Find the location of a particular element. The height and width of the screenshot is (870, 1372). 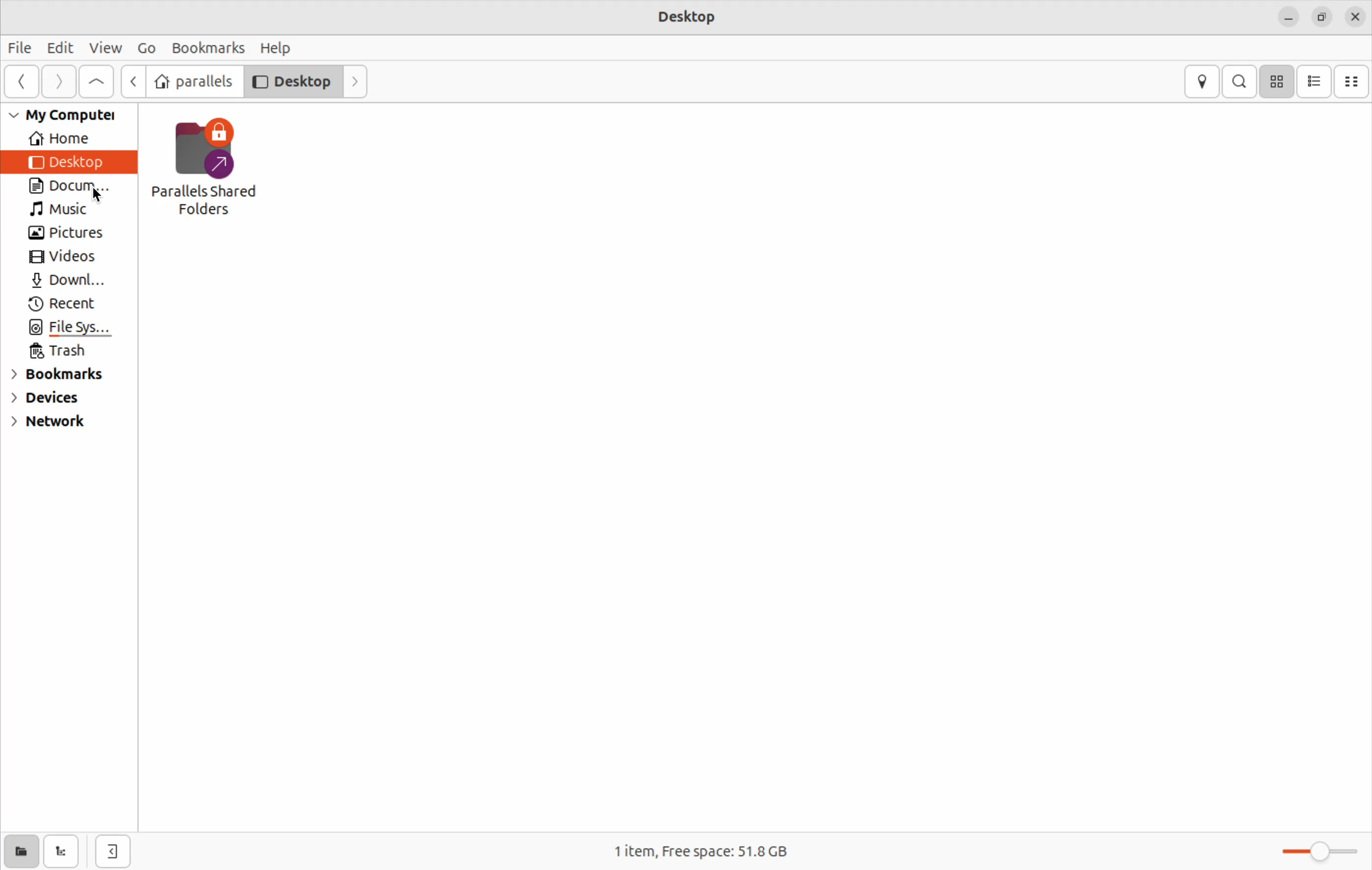

network is located at coordinates (52, 422).